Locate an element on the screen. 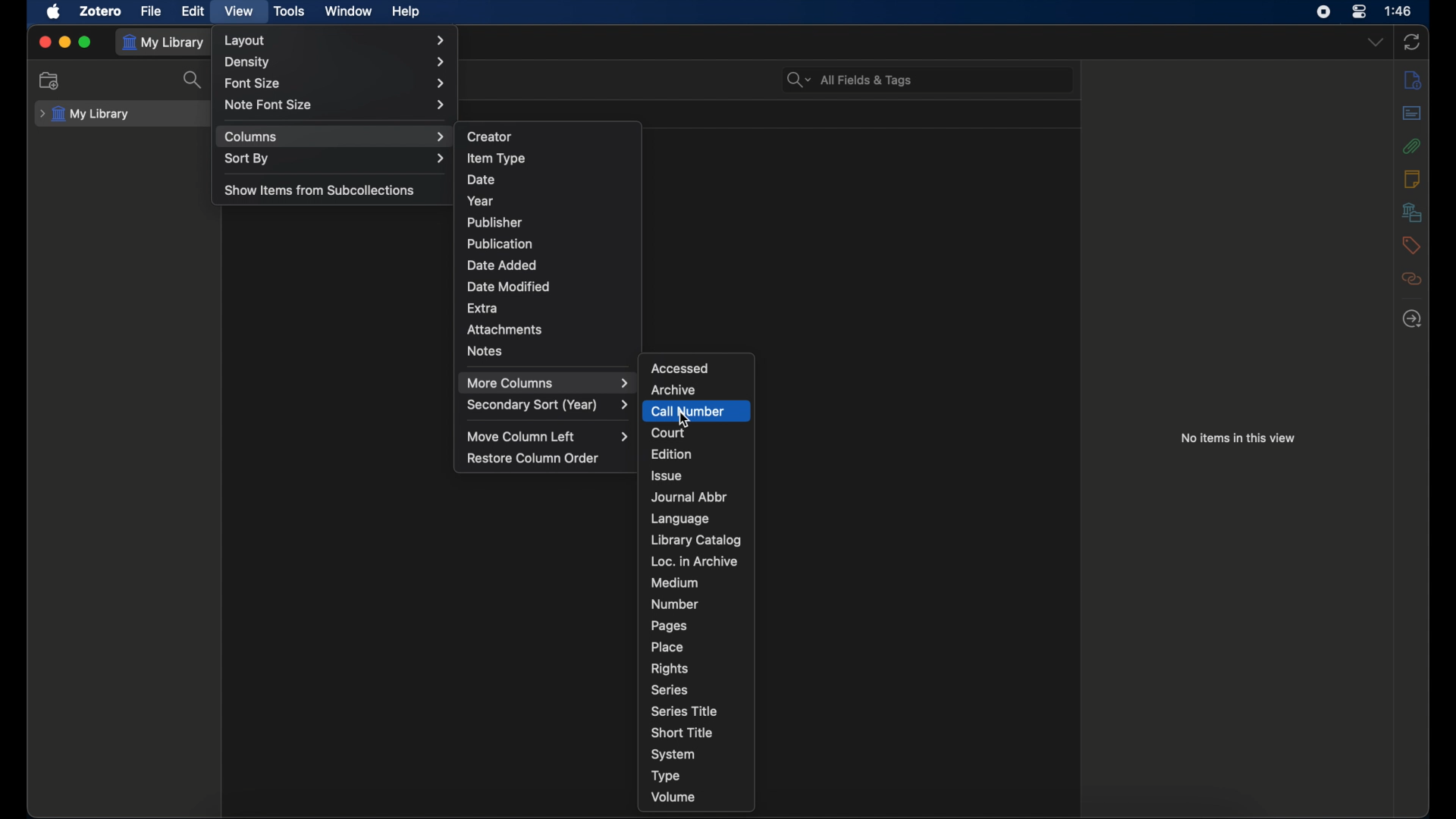 This screenshot has width=1456, height=819. extra is located at coordinates (483, 307).